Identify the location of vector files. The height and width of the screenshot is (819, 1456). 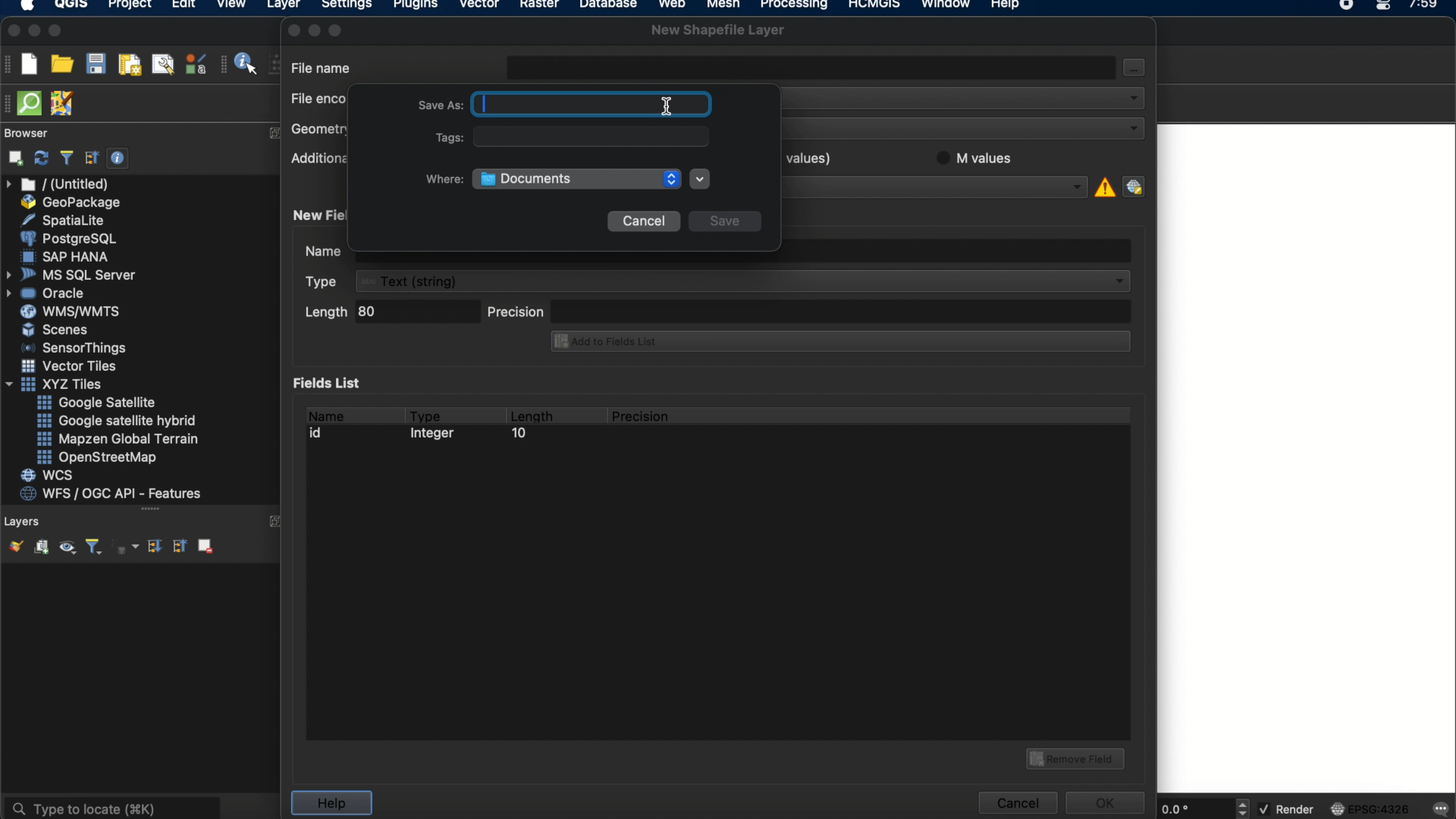
(71, 366).